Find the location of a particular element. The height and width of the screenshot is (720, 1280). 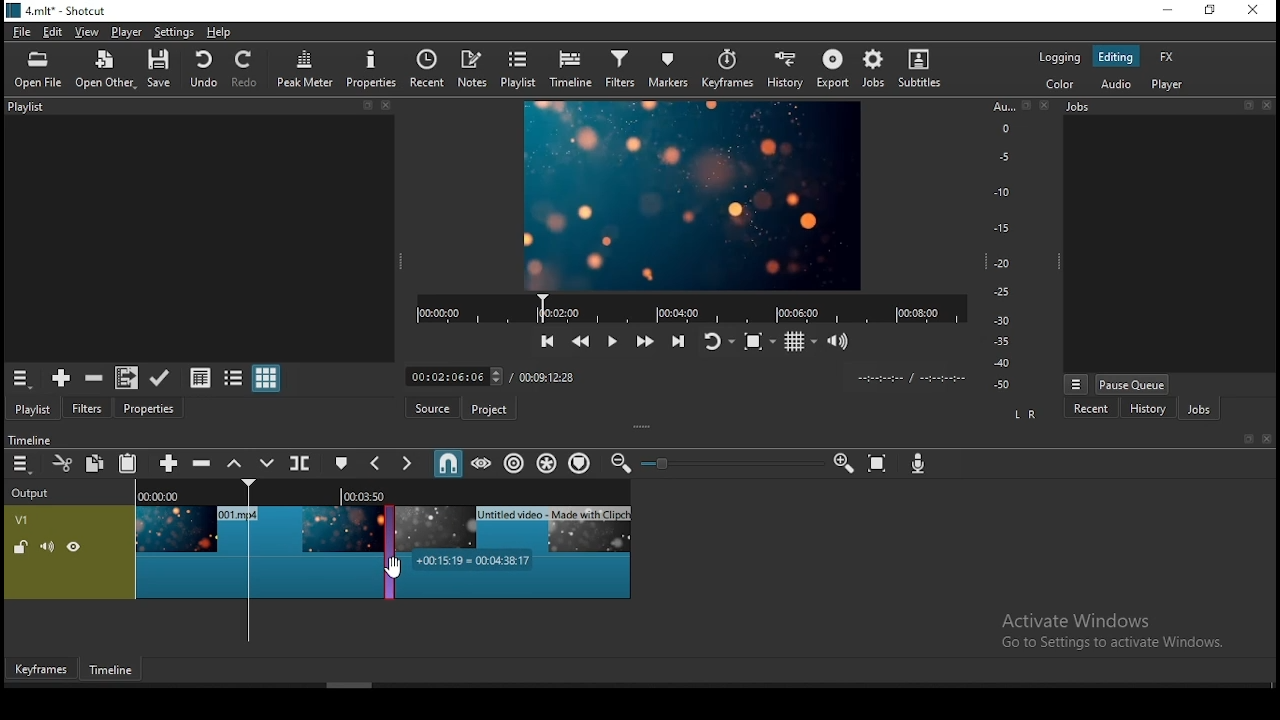

jobs is located at coordinates (1172, 107).